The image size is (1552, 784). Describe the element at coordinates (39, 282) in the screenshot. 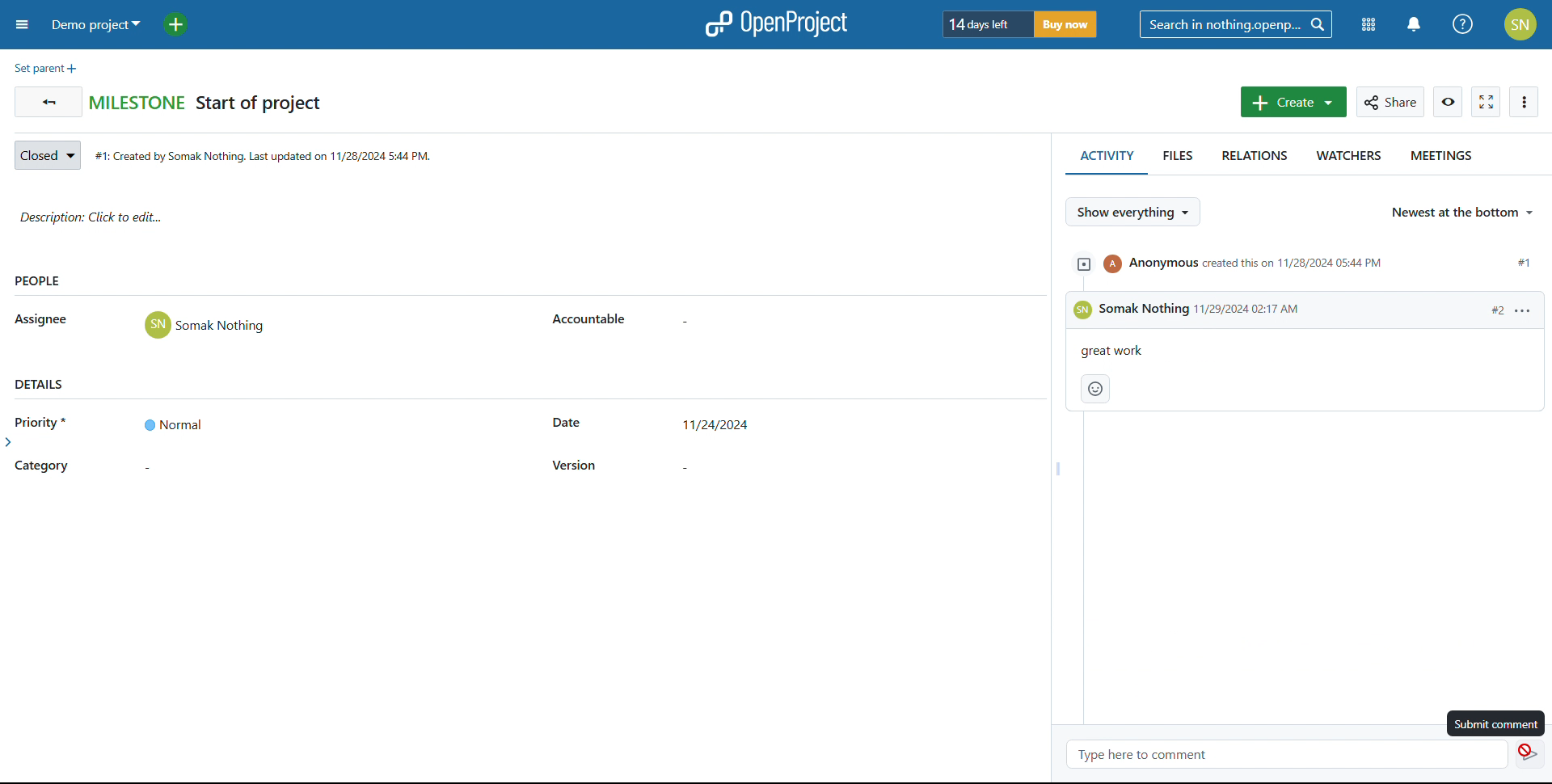

I see `people` at that location.